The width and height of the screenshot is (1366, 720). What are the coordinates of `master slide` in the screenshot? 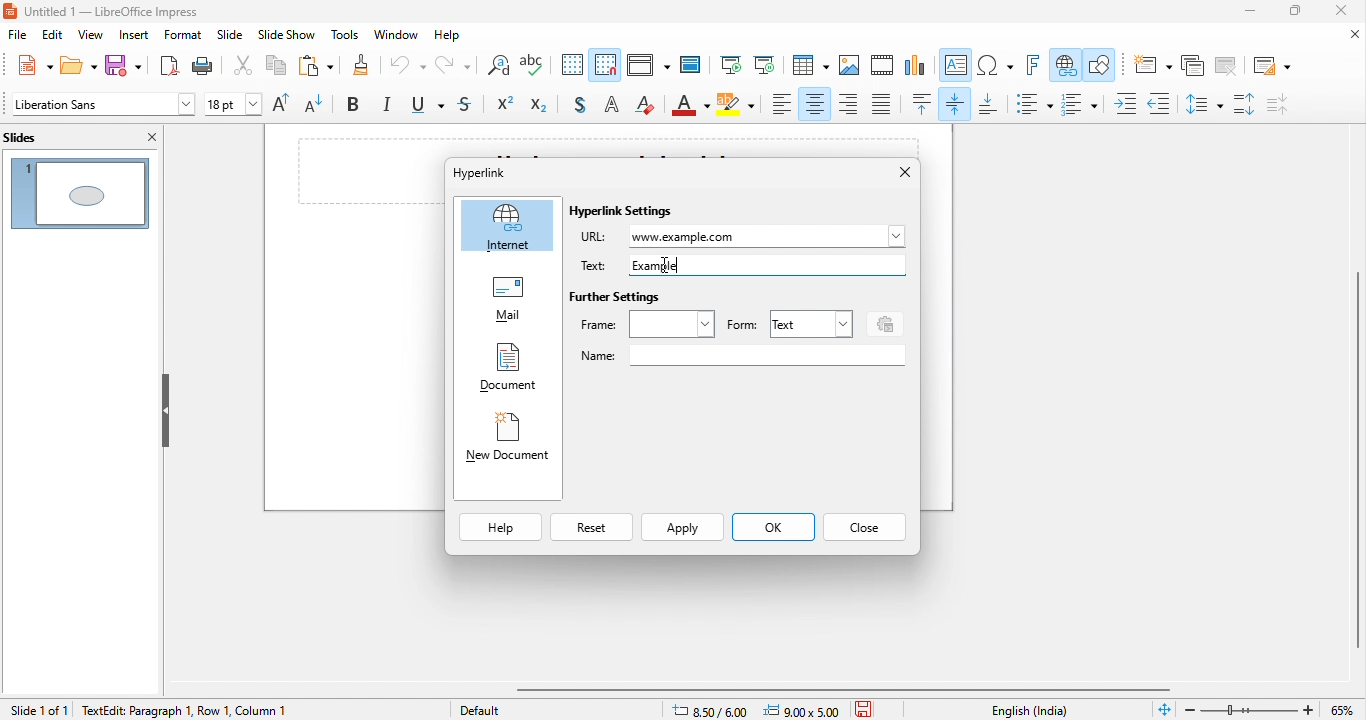 It's located at (694, 65).